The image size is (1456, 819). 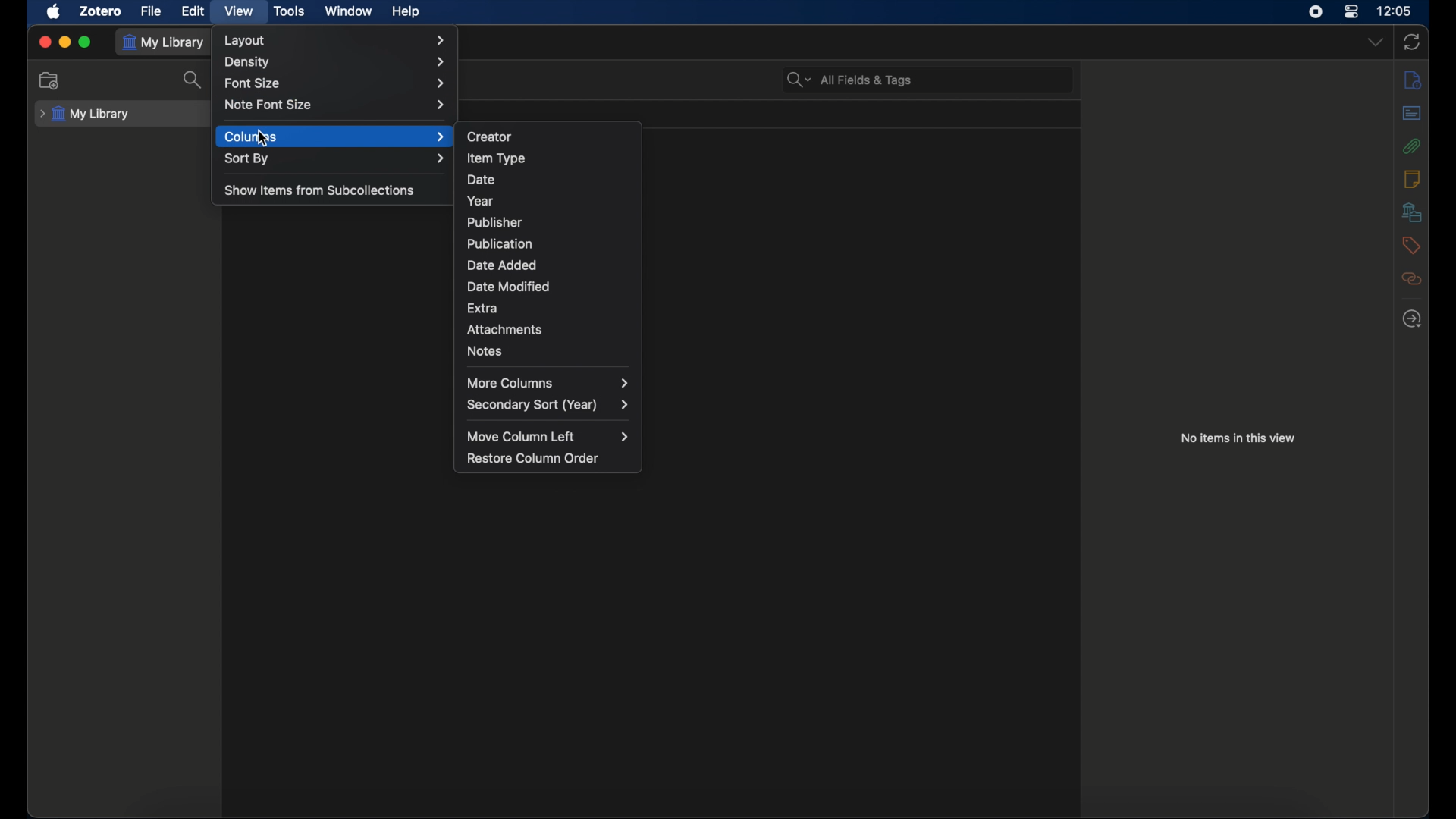 I want to click on show items from subcollections, so click(x=322, y=190).